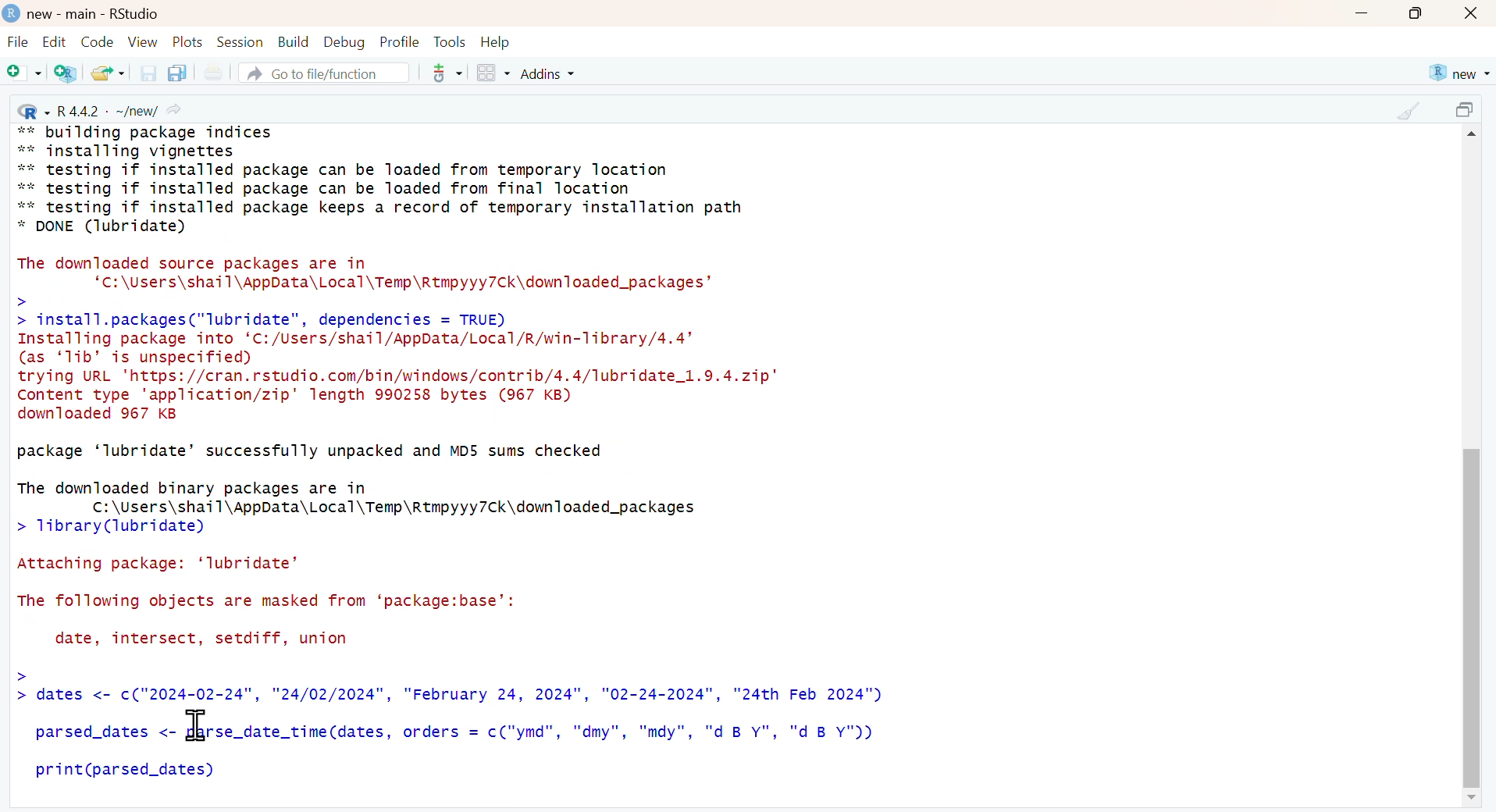 This screenshot has width=1496, height=812. I want to click on Plots, so click(188, 41).